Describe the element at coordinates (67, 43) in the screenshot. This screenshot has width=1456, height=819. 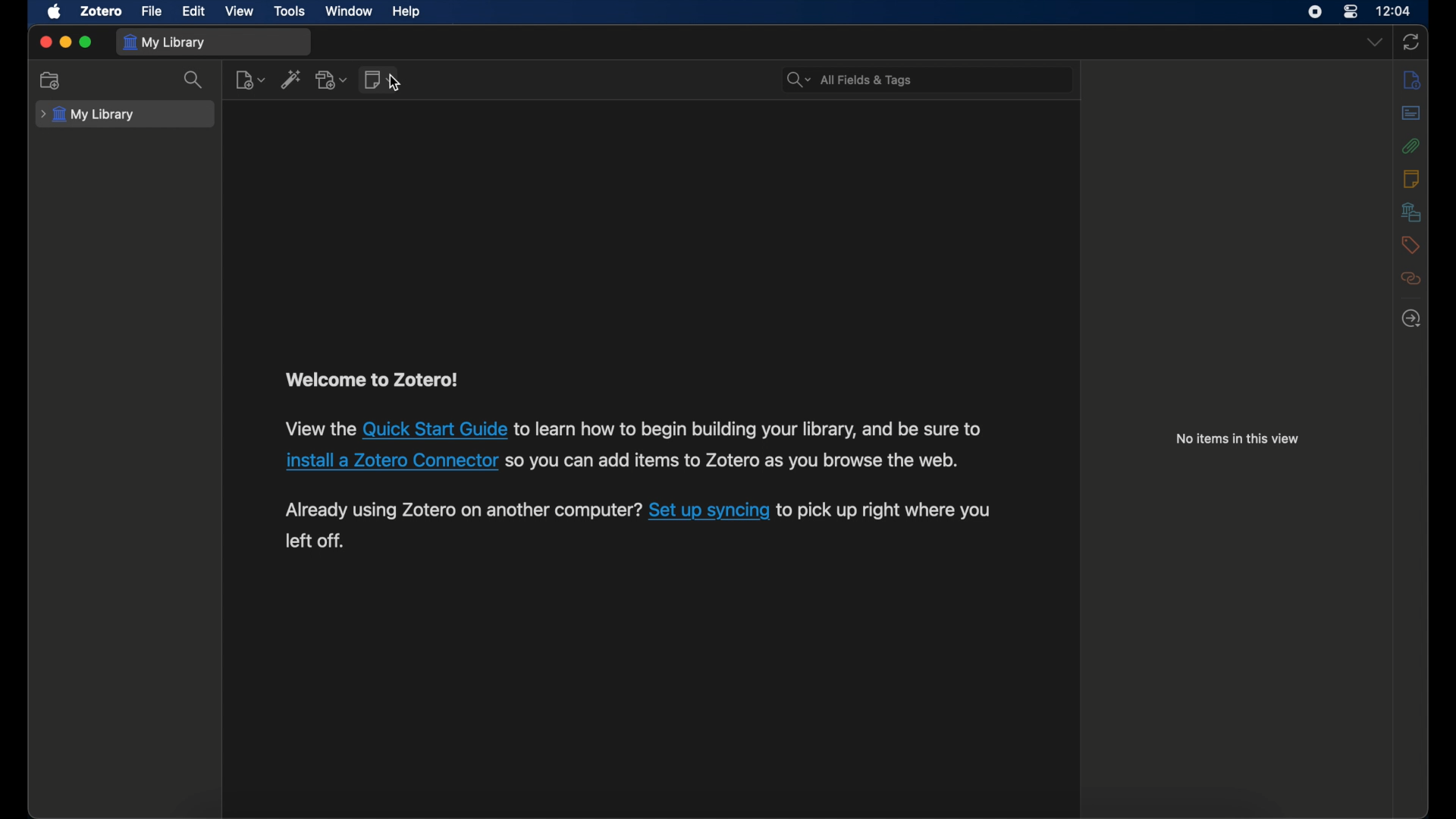
I see `minimize` at that location.